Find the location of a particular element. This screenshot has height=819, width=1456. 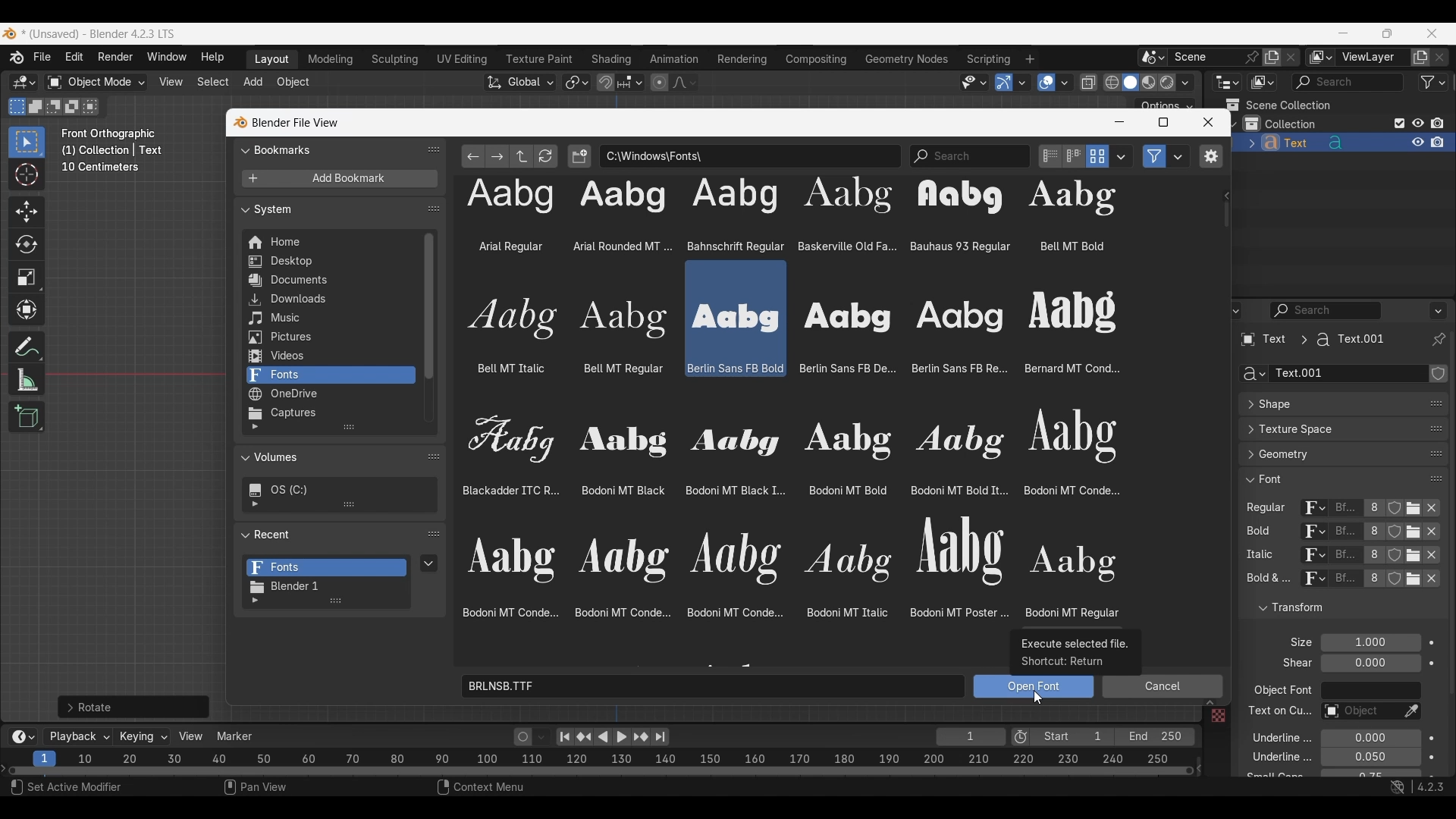

Gizmos is located at coordinates (1022, 82).